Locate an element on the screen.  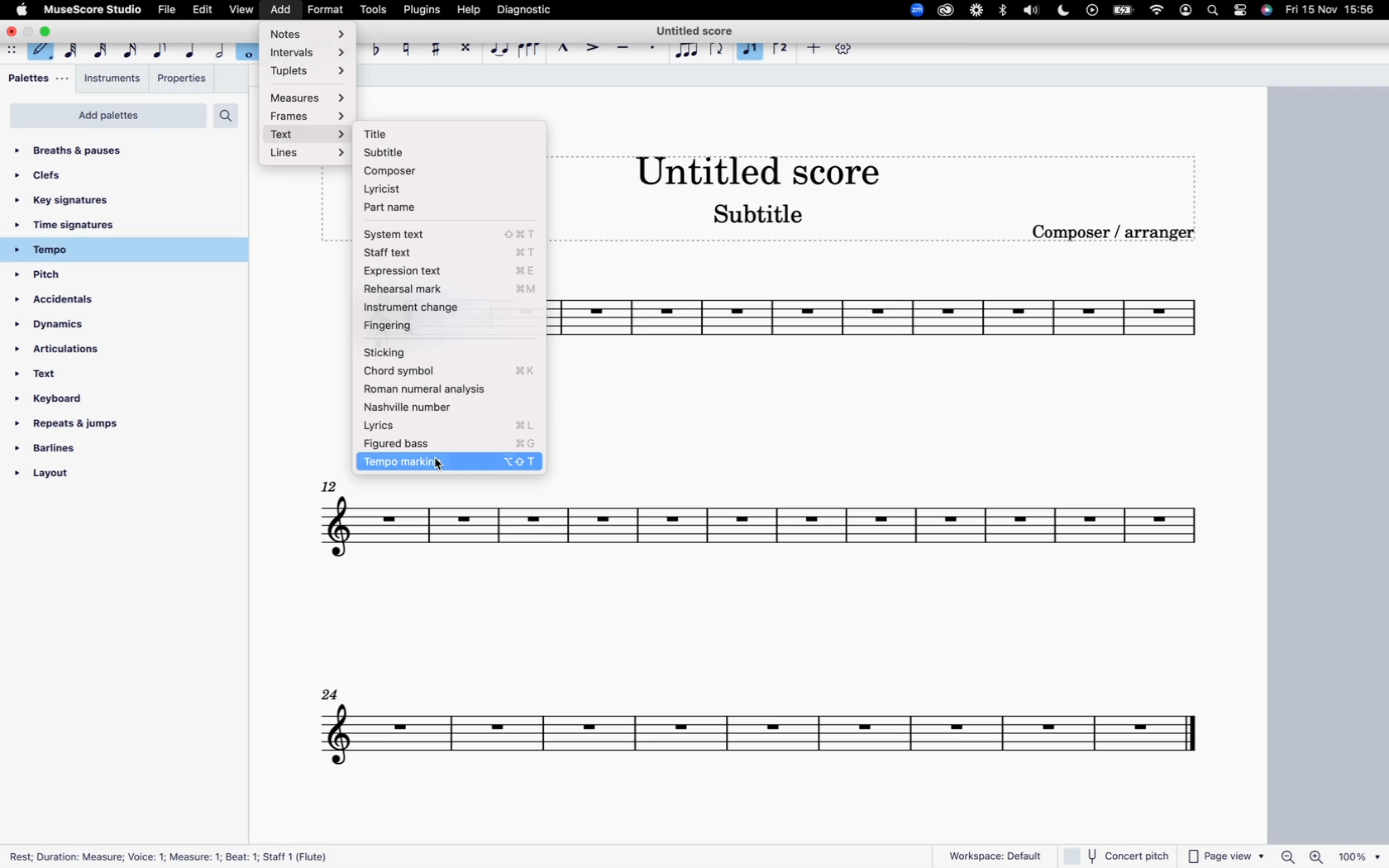
wifi is located at coordinates (1155, 11).